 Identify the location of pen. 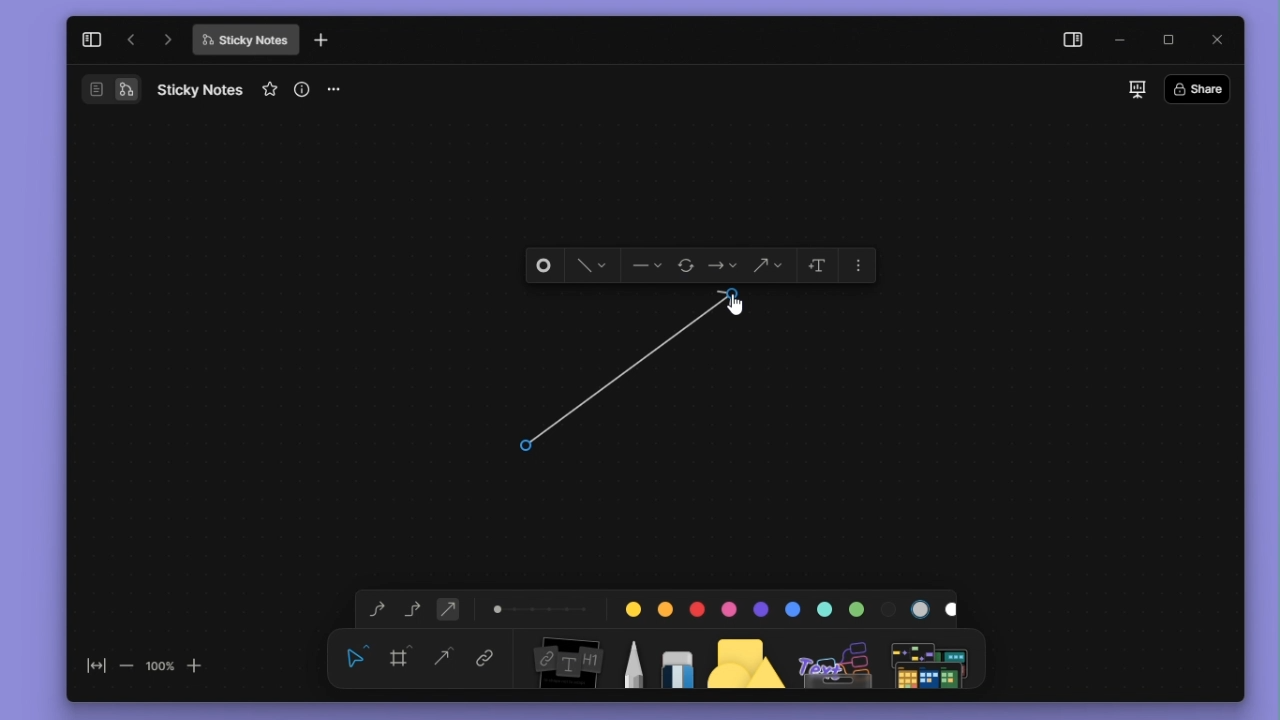
(632, 657).